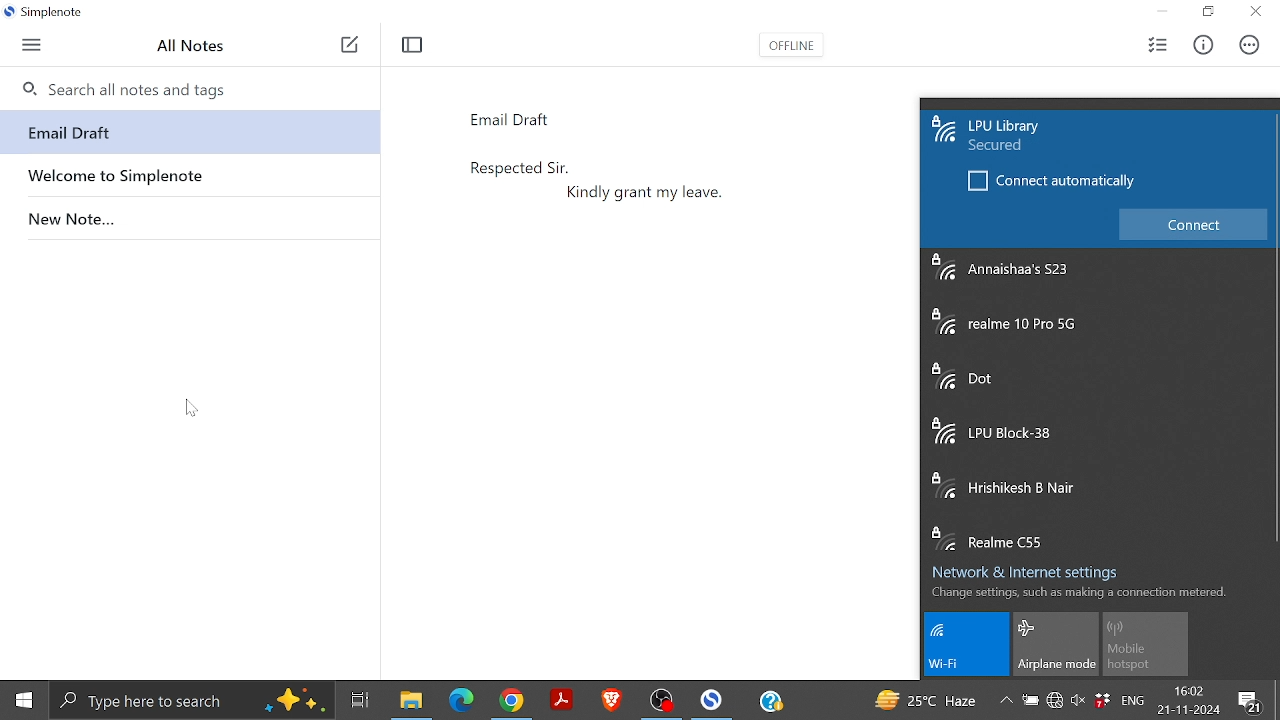 This screenshot has width=1280, height=720. Describe the element at coordinates (185, 133) in the screenshot. I see `Note titled "Email Draft"` at that location.